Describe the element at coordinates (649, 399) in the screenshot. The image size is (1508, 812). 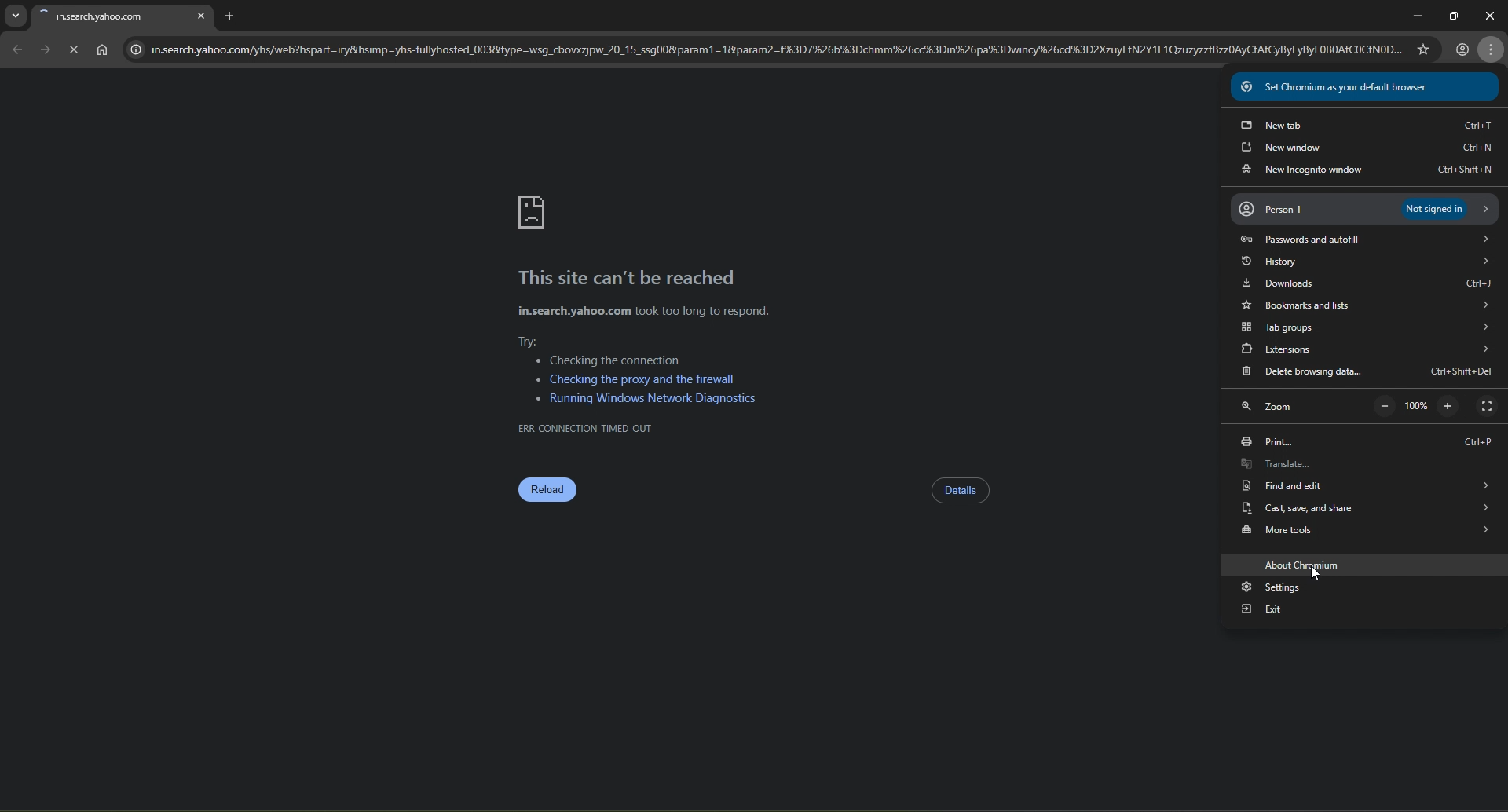
I see `Running Windows Network Diagnostics` at that location.